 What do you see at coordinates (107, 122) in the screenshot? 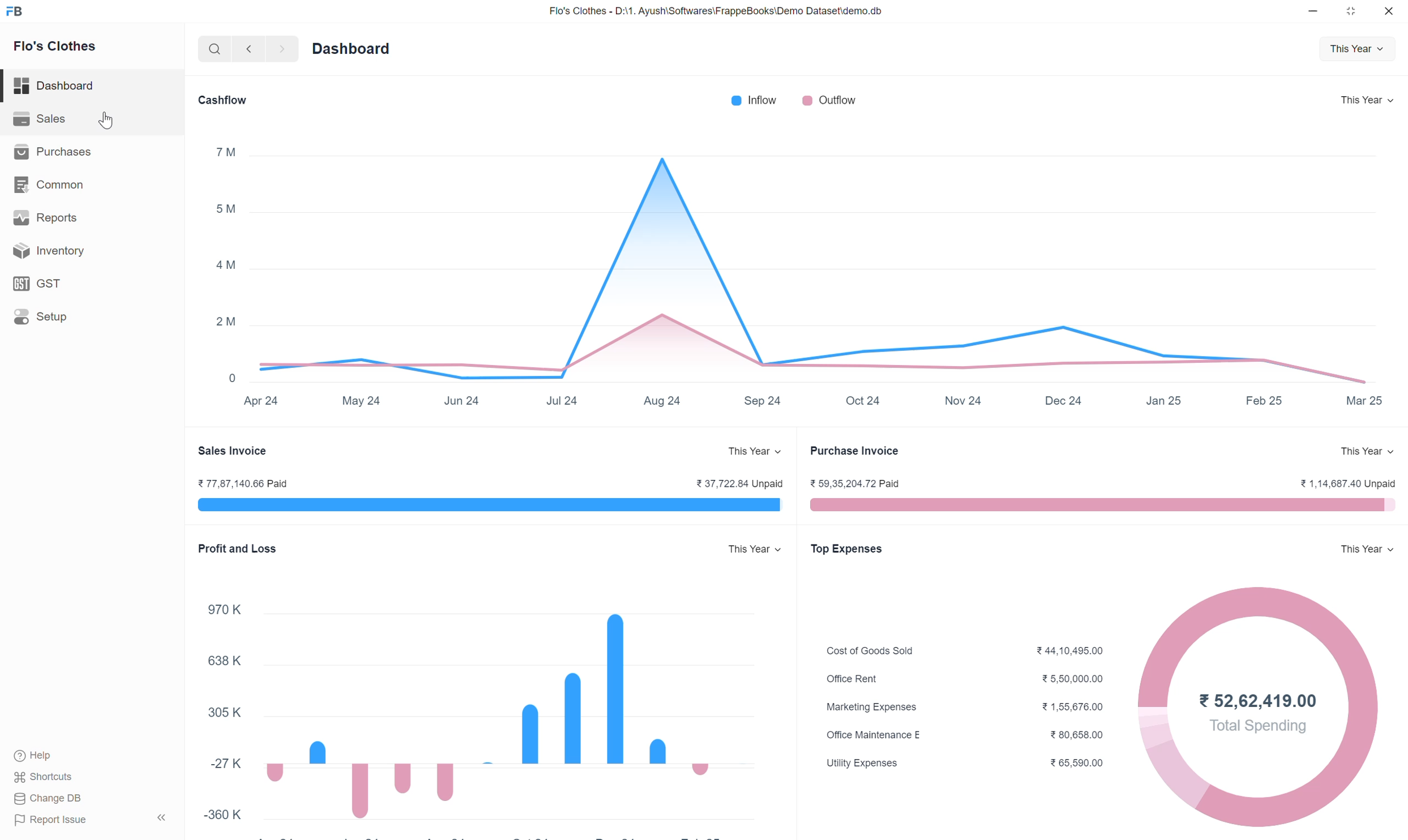
I see `cursor` at bounding box center [107, 122].